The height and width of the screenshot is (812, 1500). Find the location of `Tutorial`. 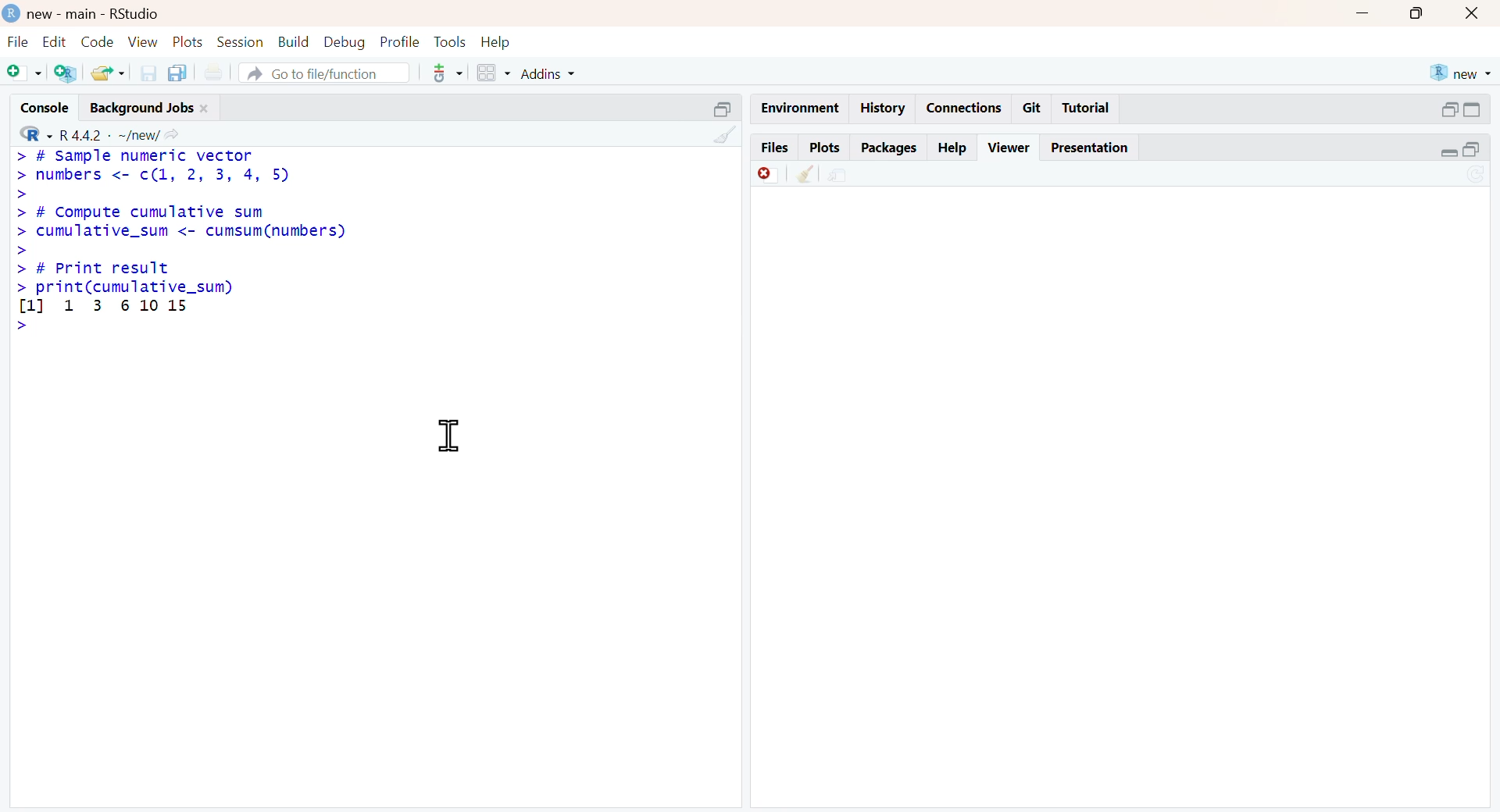

Tutorial is located at coordinates (1086, 107).